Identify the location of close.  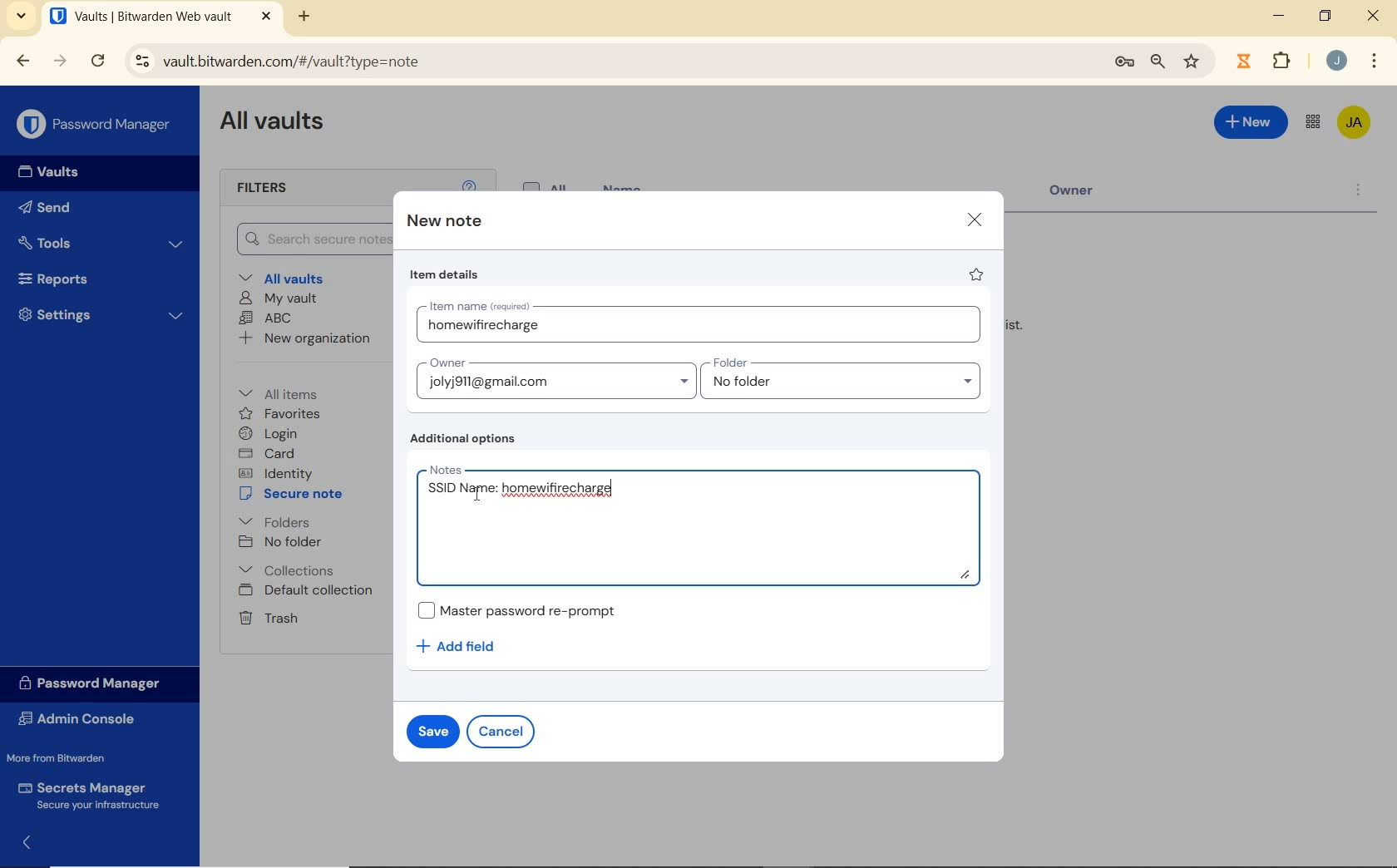
(1373, 15).